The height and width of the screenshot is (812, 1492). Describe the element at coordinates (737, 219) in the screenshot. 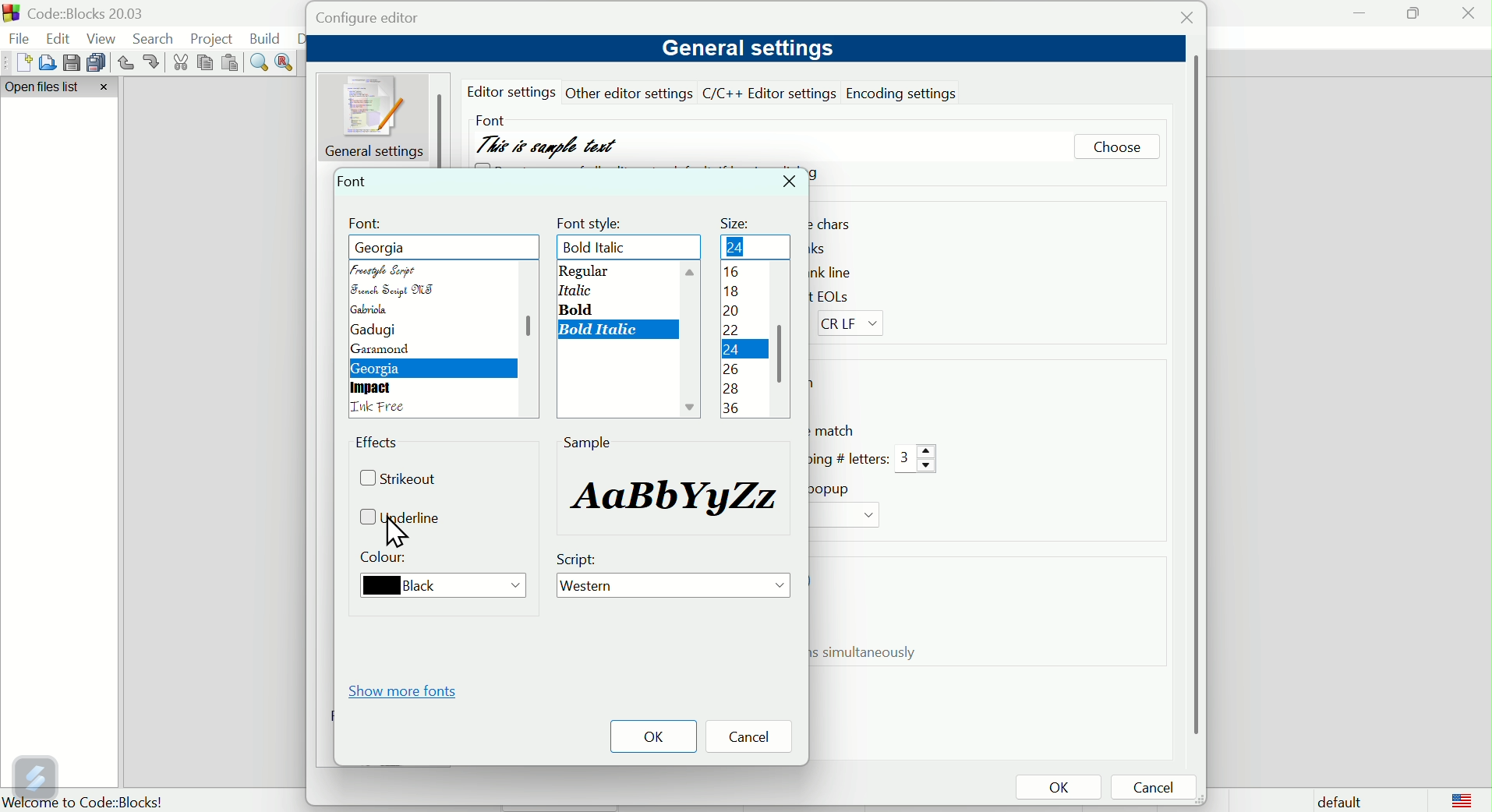

I see `Size` at that location.